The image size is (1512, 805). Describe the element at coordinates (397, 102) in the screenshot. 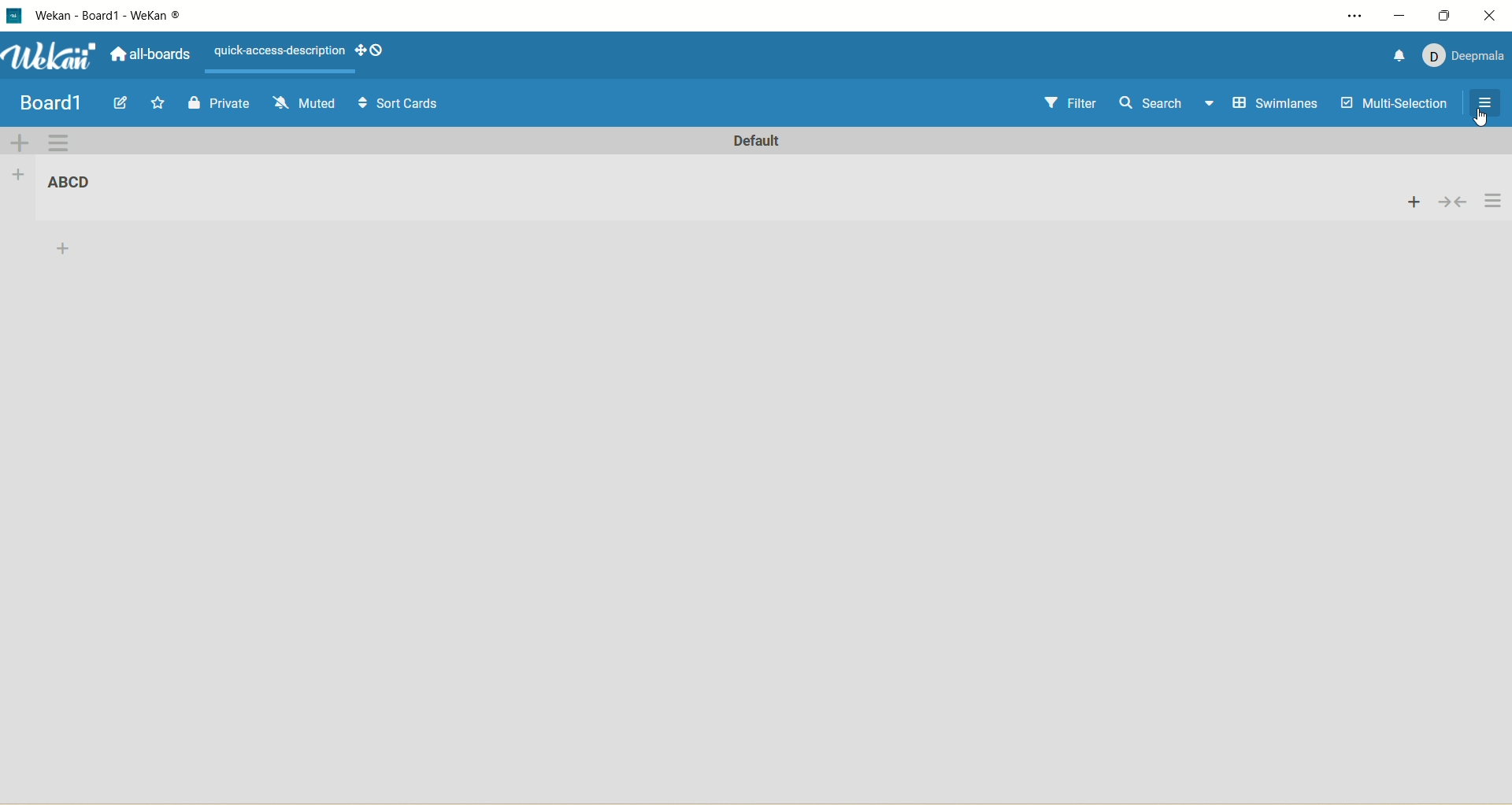

I see `Sort Cards` at that location.